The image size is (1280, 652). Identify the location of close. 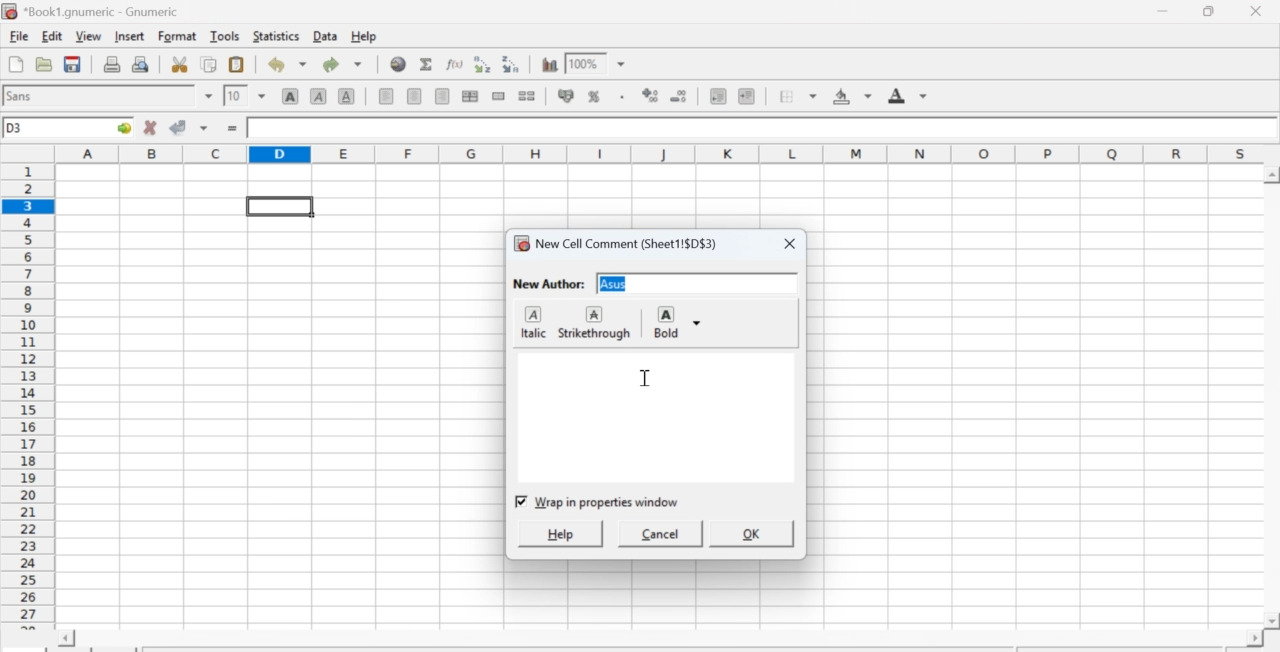
(789, 241).